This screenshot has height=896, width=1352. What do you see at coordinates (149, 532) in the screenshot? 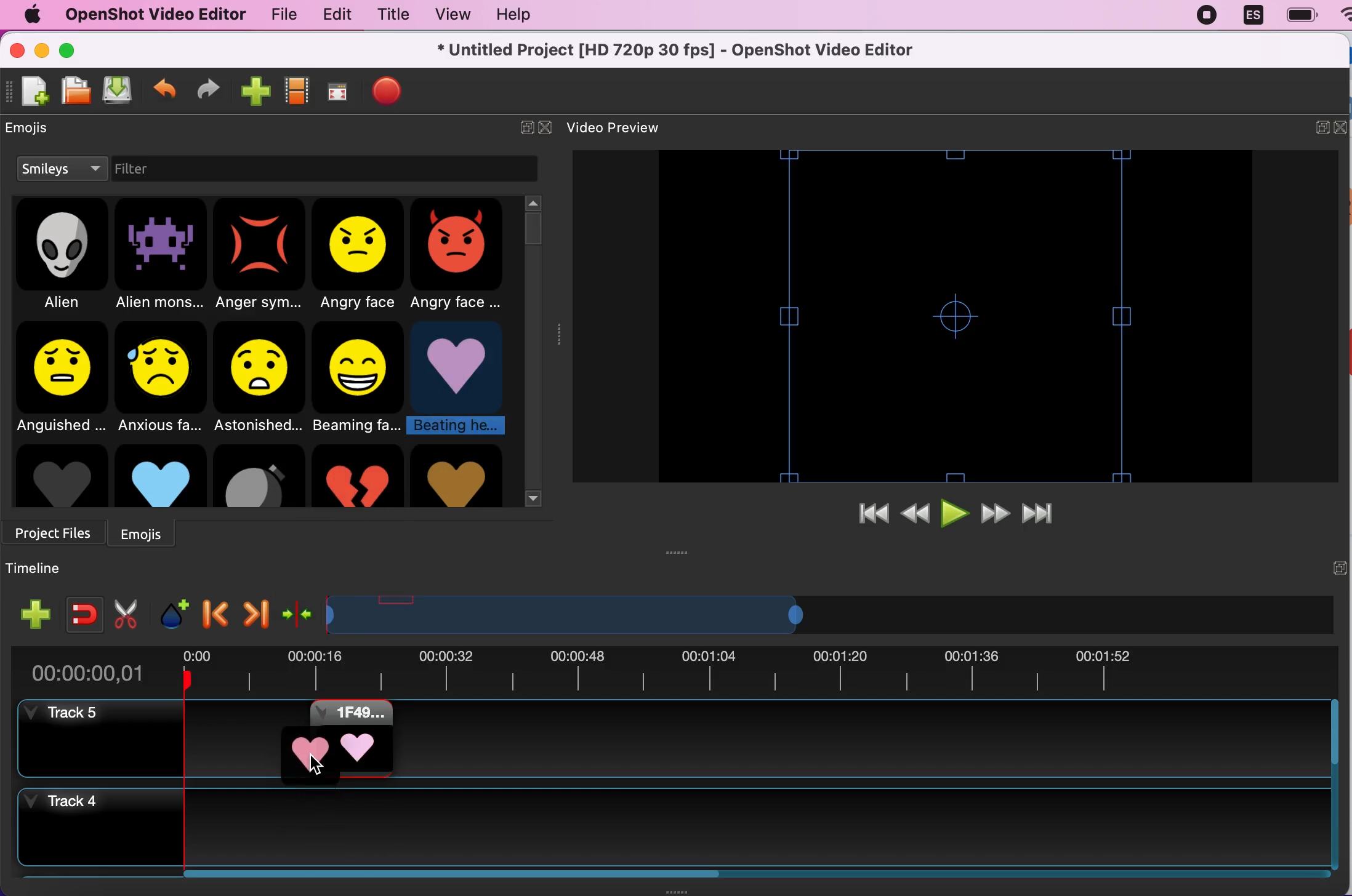
I see `emojis` at bounding box center [149, 532].